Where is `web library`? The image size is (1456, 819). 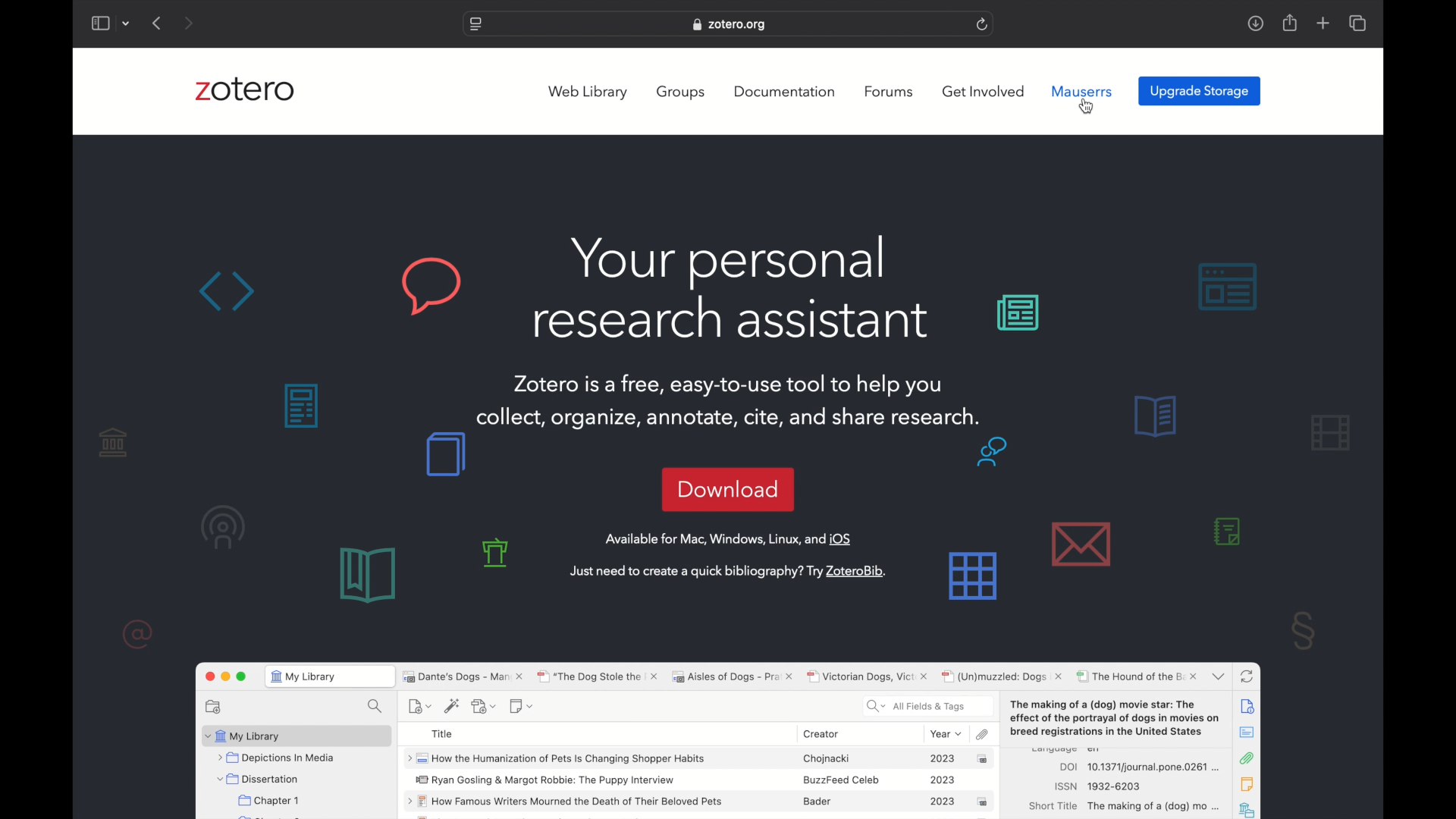 web library is located at coordinates (588, 92).